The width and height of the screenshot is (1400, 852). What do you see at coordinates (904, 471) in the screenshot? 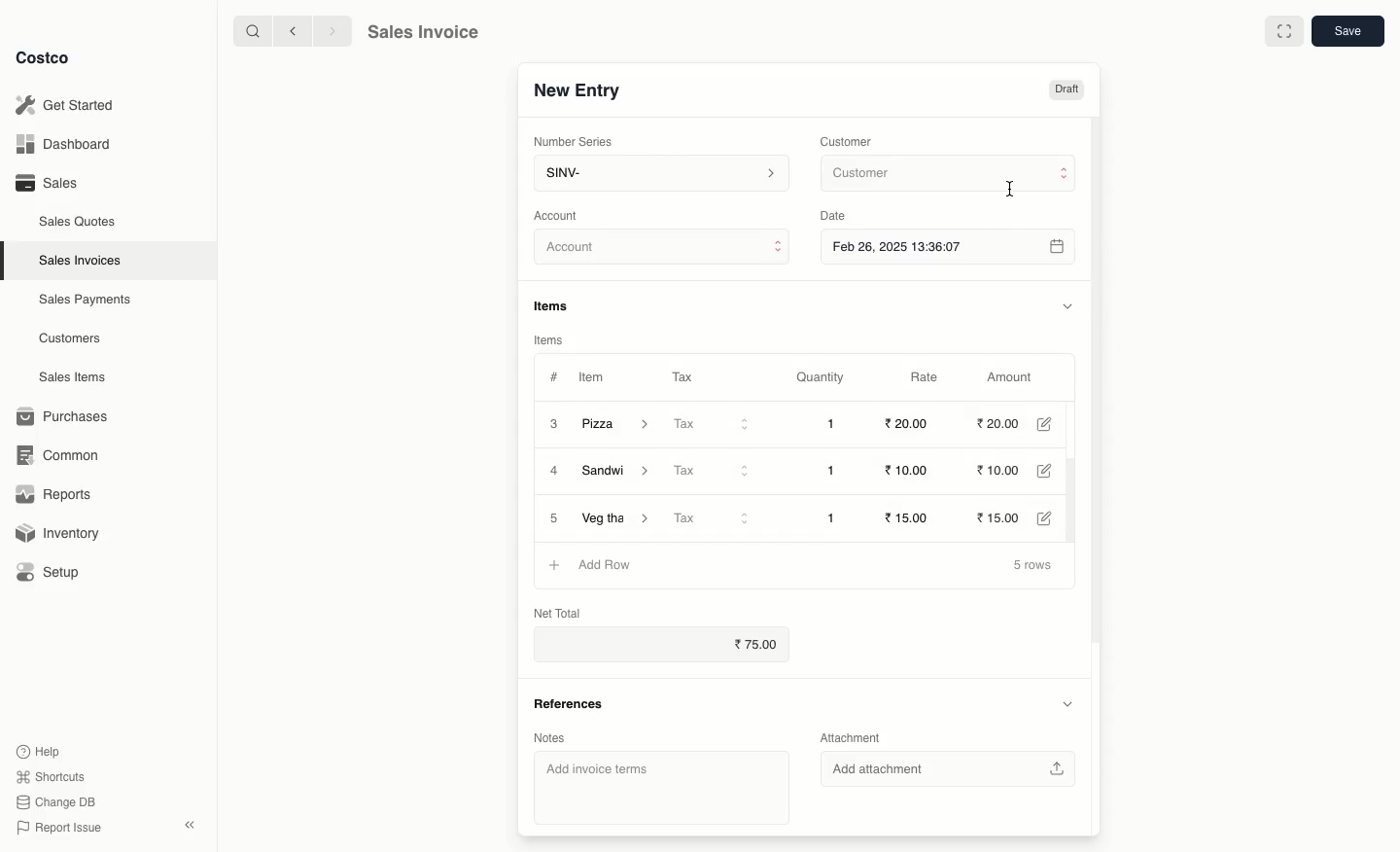
I see `10.00` at bounding box center [904, 471].